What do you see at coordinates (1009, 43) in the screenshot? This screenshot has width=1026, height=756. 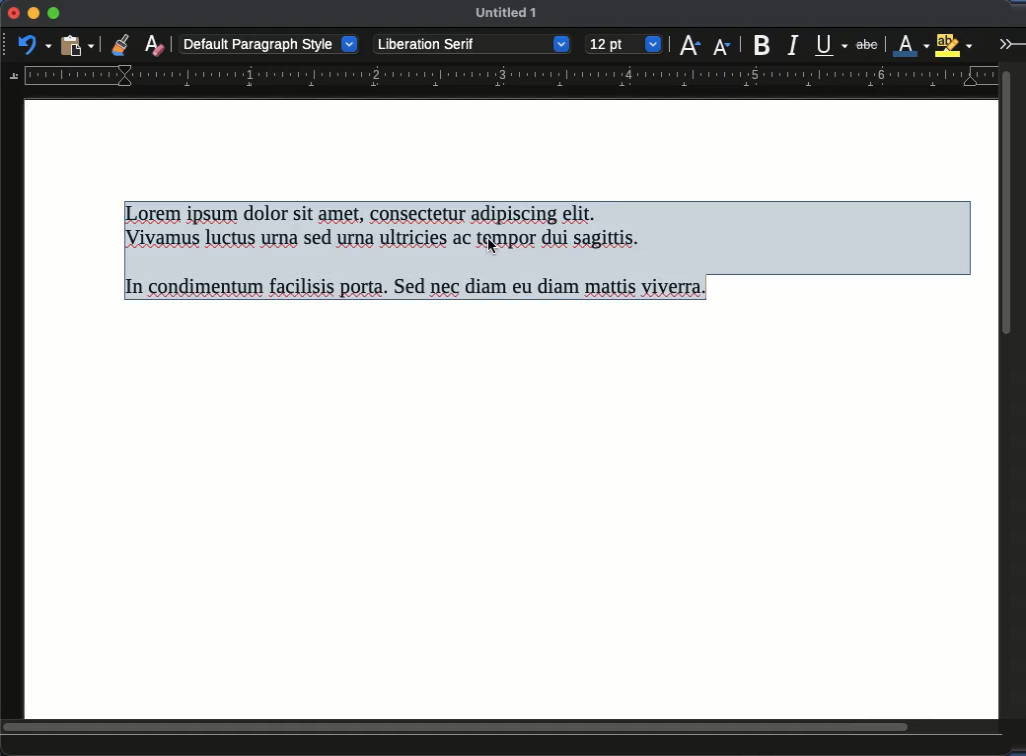 I see `expand` at bounding box center [1009, 43].